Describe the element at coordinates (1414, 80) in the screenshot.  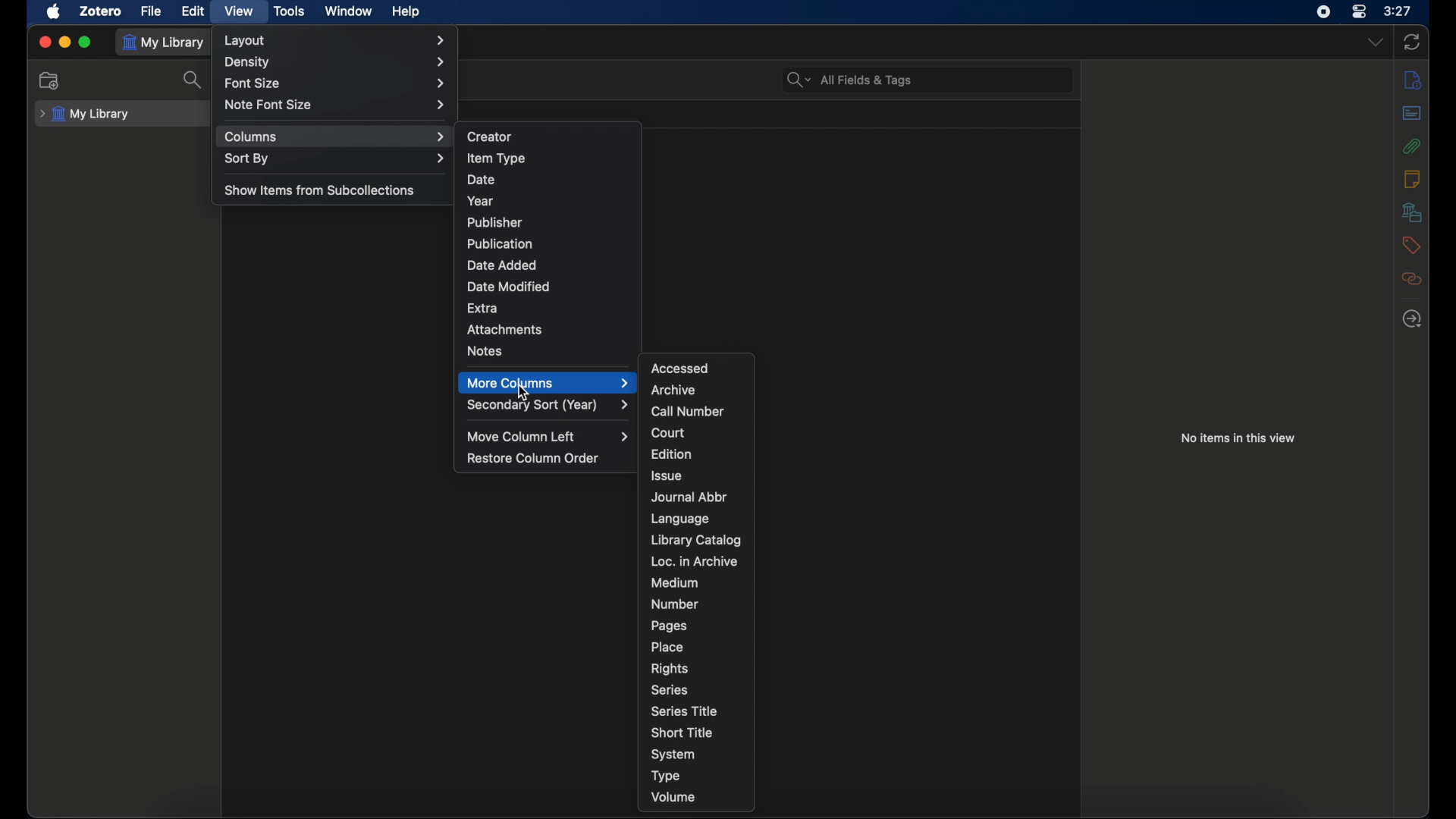
I see `info` at that location.